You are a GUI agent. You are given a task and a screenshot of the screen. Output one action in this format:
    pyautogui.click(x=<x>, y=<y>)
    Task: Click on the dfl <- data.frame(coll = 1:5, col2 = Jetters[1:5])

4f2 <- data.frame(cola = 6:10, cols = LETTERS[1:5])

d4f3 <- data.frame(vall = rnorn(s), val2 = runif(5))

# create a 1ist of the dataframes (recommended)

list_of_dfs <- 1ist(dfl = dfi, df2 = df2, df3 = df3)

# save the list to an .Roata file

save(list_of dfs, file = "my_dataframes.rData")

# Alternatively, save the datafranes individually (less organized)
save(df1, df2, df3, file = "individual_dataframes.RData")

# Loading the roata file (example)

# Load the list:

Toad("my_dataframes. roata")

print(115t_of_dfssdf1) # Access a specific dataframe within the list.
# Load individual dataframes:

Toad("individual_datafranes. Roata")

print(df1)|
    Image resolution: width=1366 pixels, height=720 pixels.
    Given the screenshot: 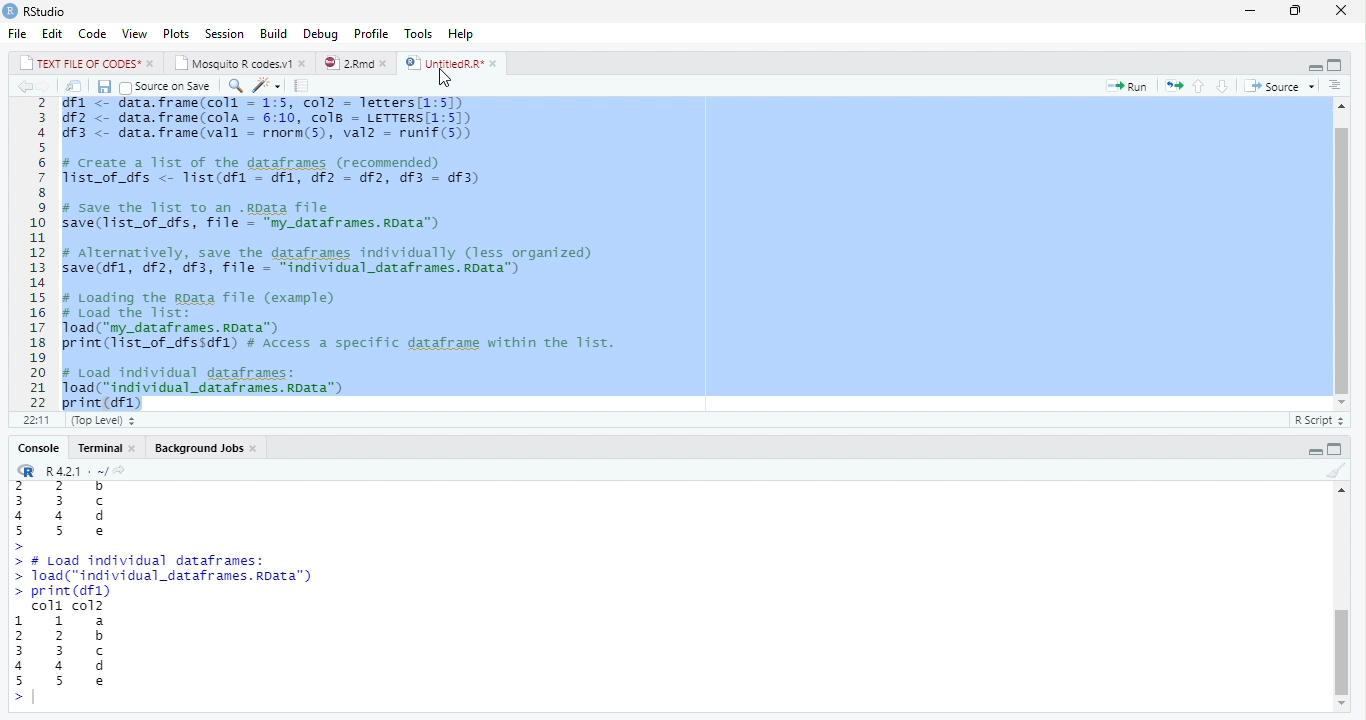 What is the action you would take?
    pyautogui.click(x=355, y=253)
    